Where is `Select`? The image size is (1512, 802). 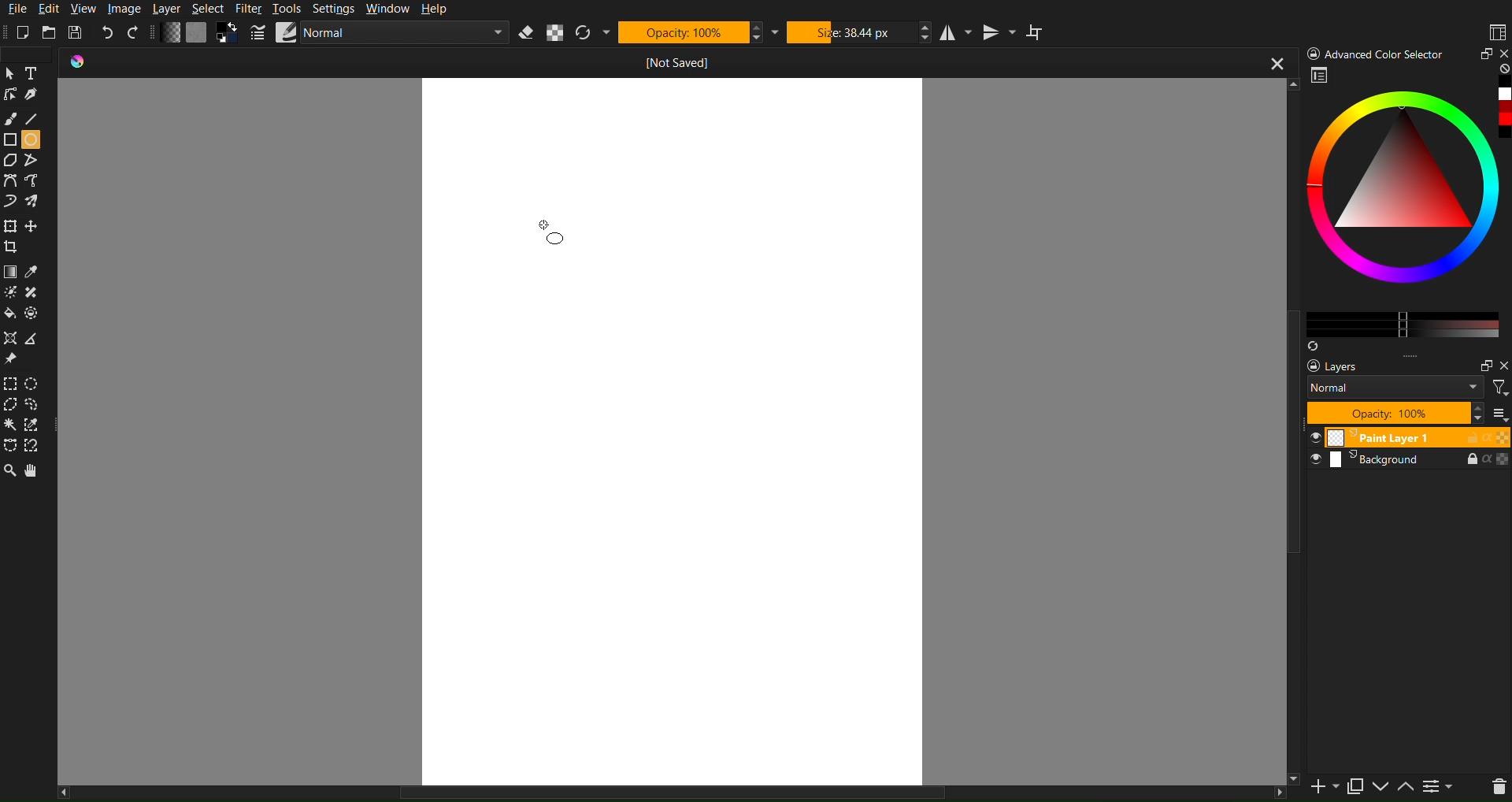 Select is located at coordinates (209, 8).